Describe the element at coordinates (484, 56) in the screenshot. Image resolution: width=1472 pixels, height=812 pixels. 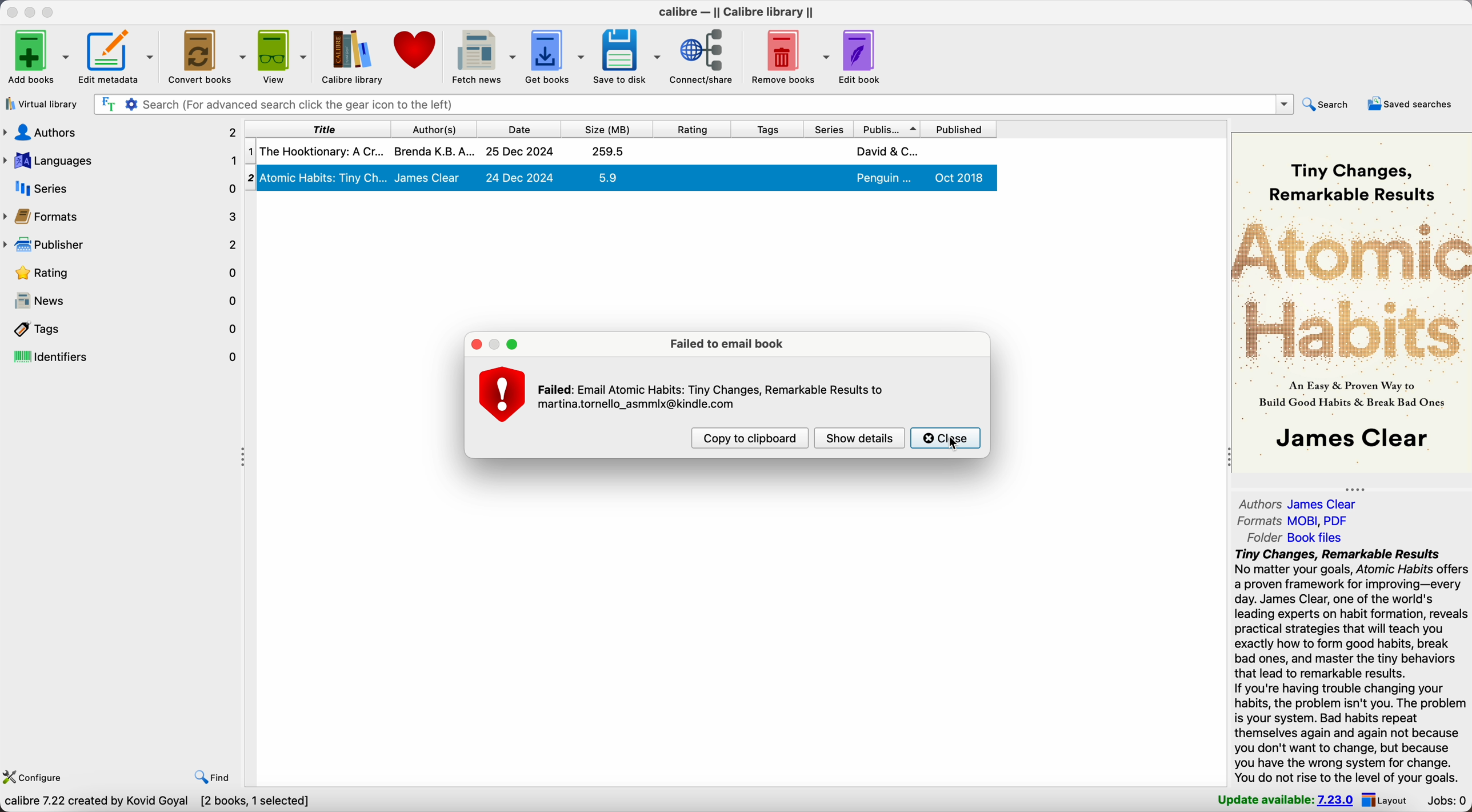
I see `fetch news` at that location.